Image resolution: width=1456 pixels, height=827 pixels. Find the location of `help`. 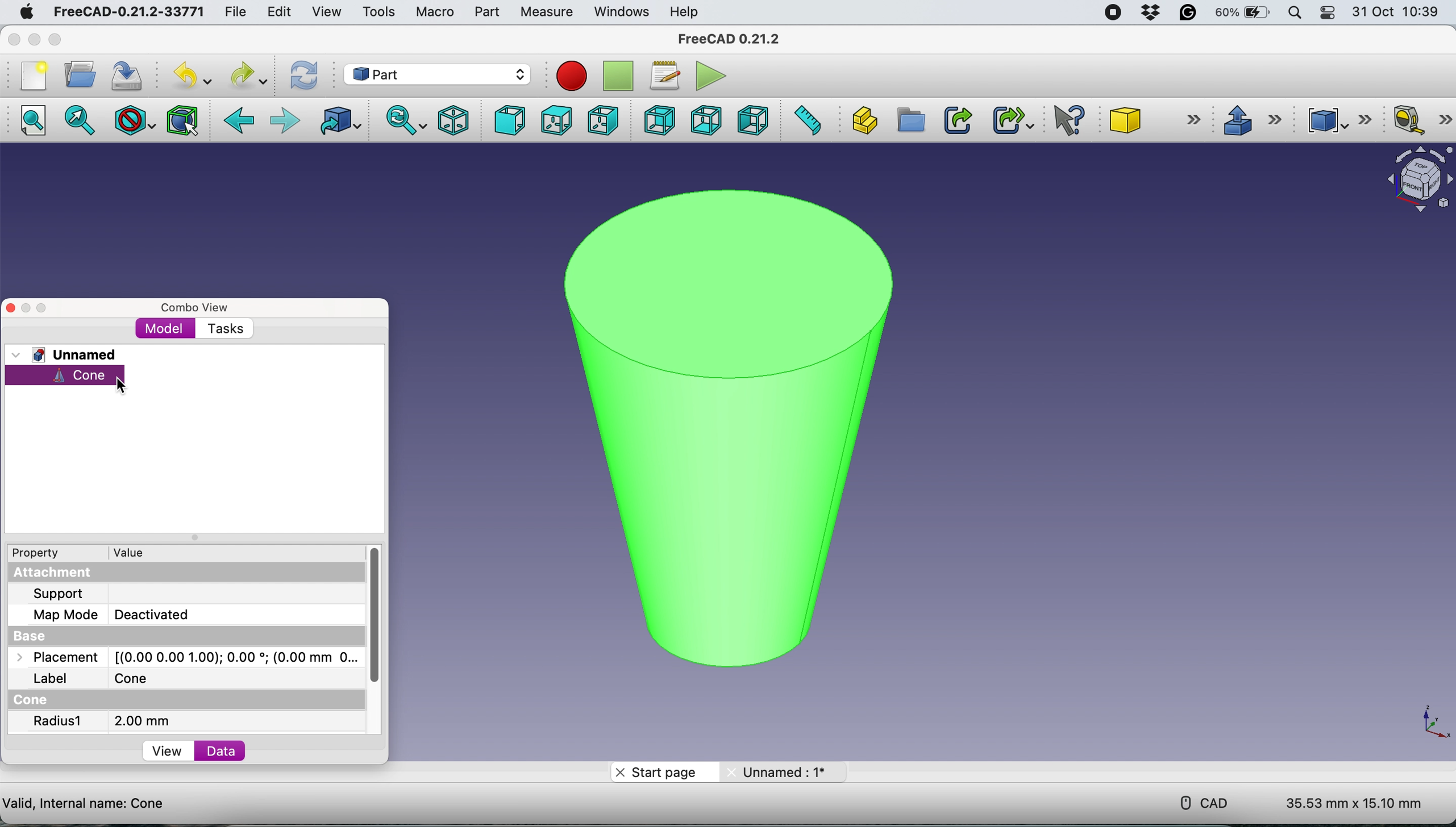

help is located at coordinates (685, 11).